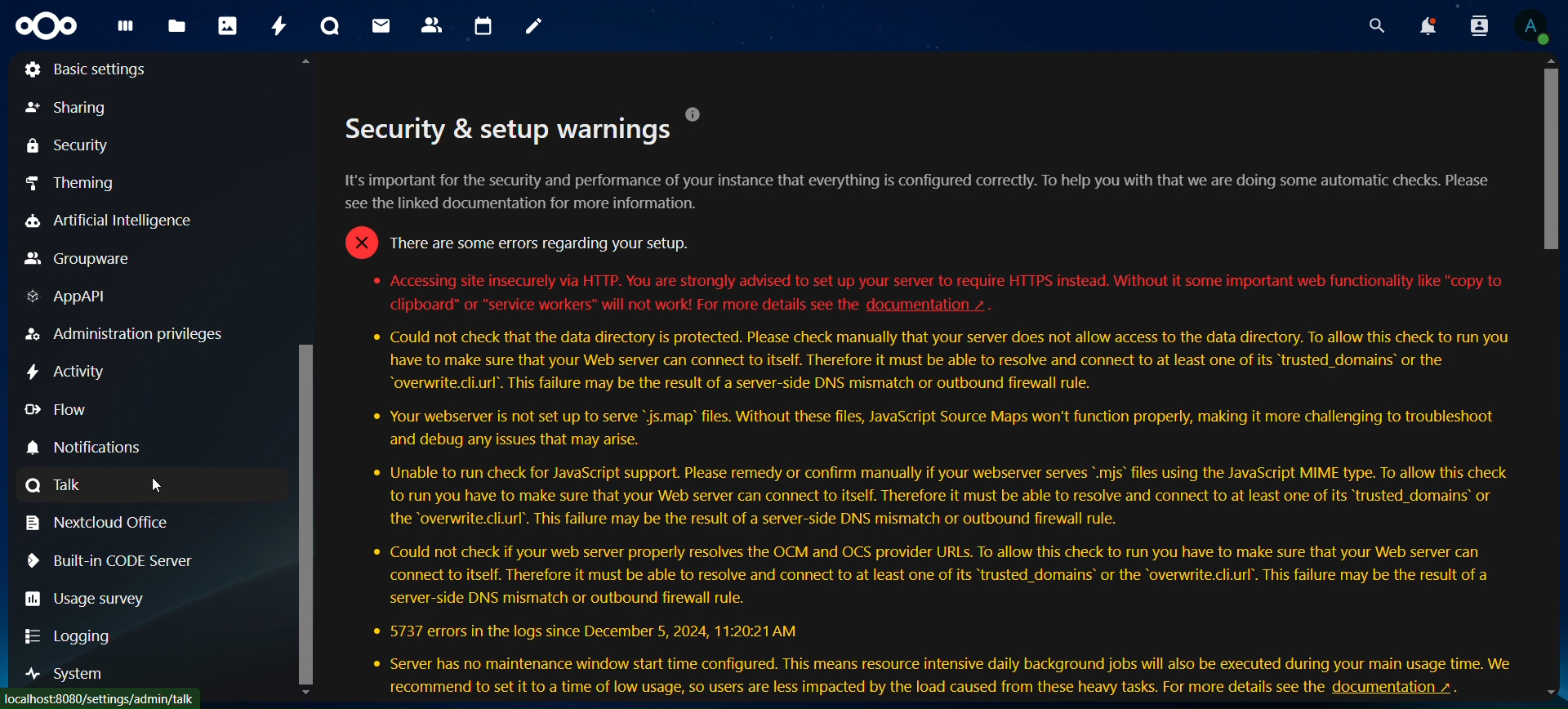  I want to click on usage, so click(97, 598).